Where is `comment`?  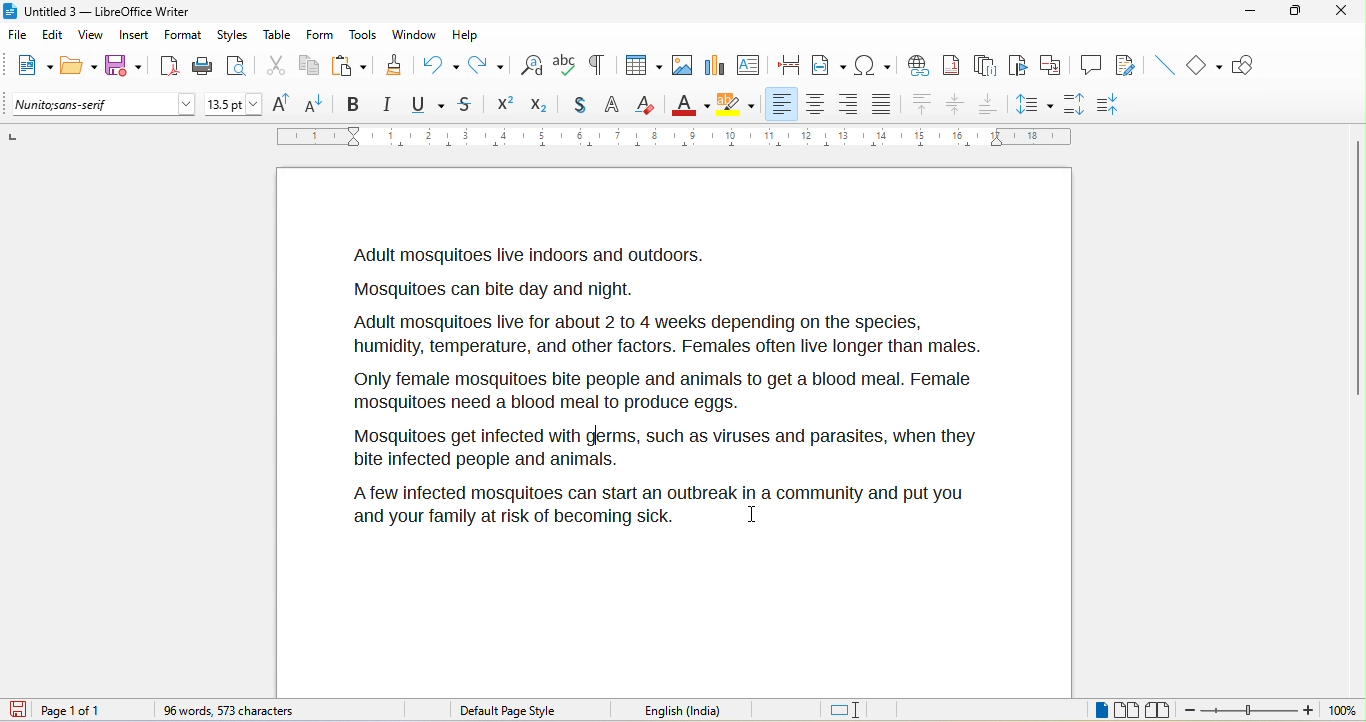
comment is located at coordinates (1092, 66).